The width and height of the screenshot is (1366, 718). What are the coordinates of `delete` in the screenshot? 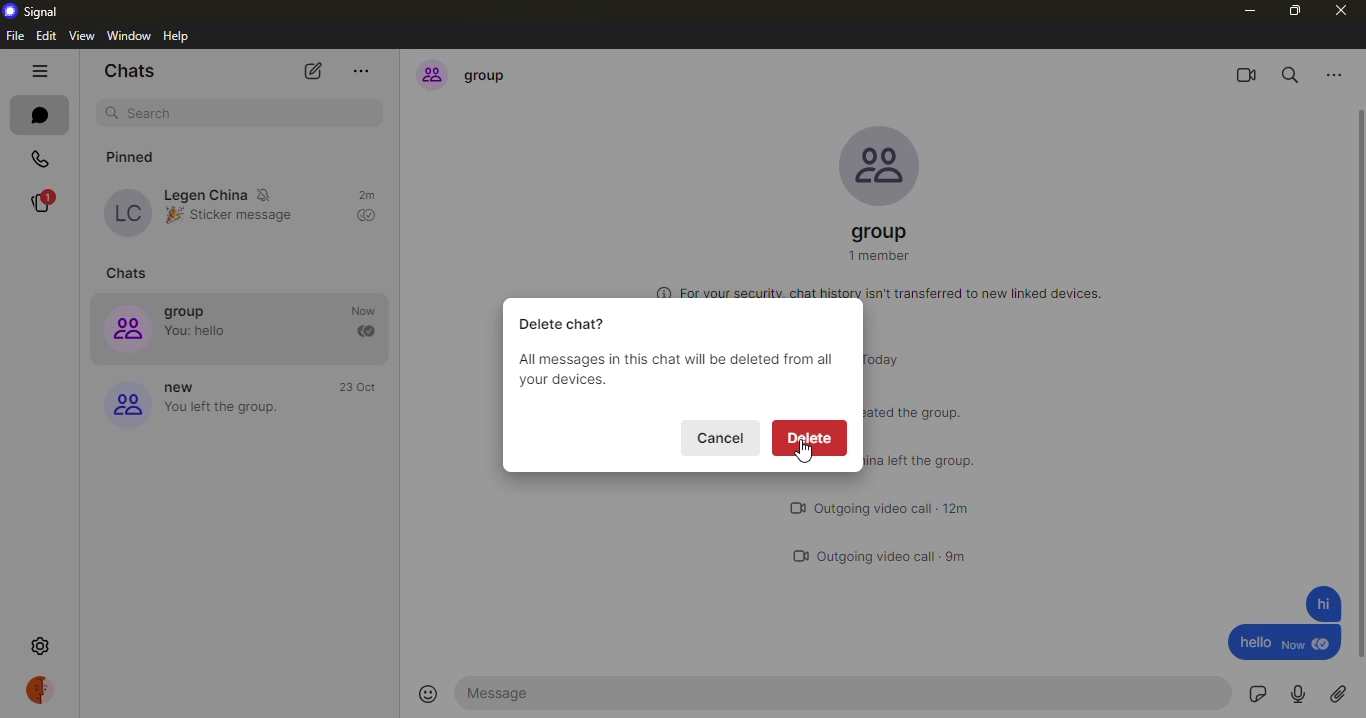 It's located at (810, 438).